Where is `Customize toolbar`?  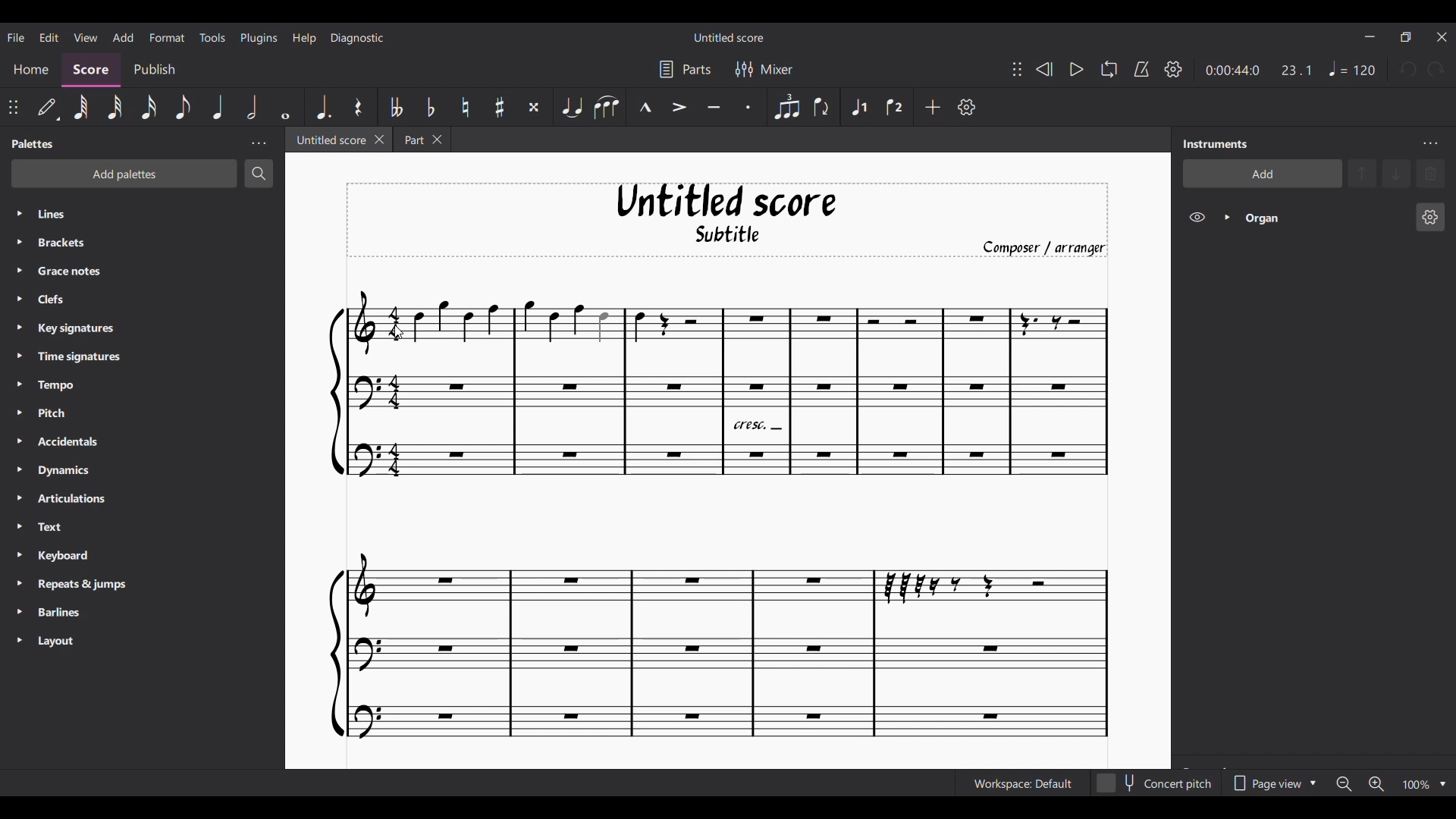
Customize toolbar is located at coordinates (967, 107).